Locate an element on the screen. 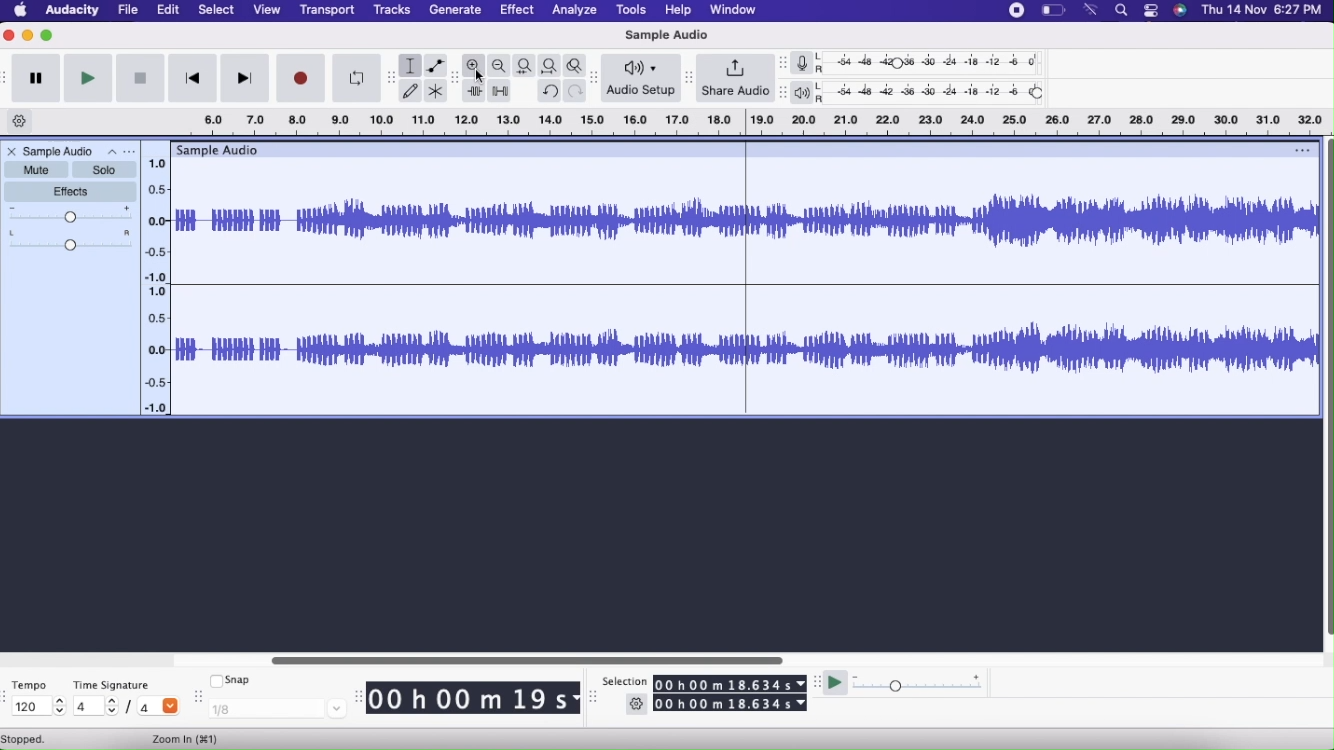 This screenshot has width=1334, height=750. / is located at coordinates (131, 708).